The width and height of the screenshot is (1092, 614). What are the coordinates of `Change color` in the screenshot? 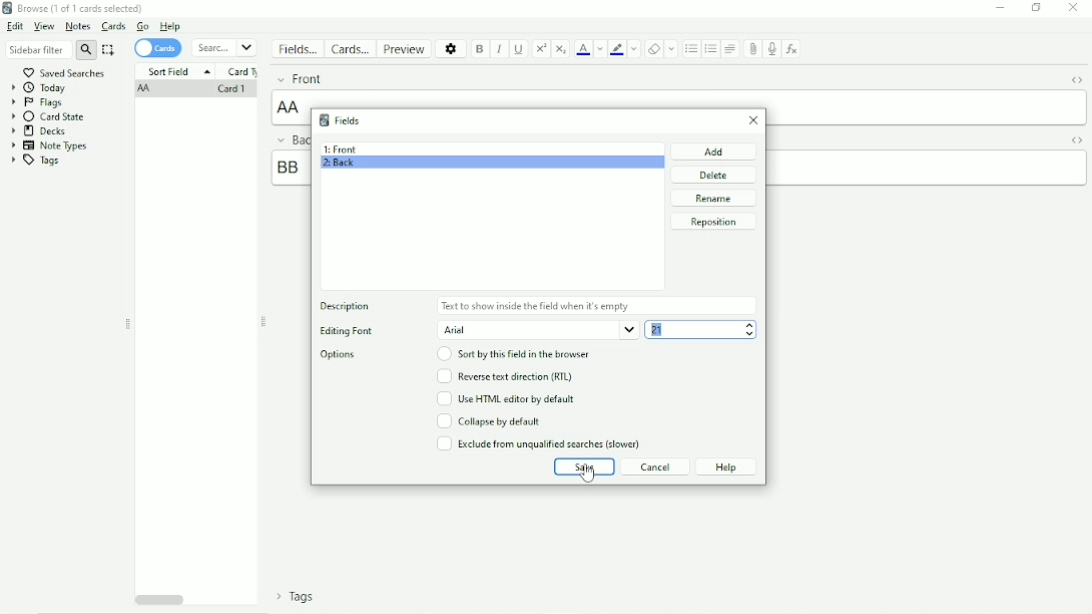 It's located at (634, 48).